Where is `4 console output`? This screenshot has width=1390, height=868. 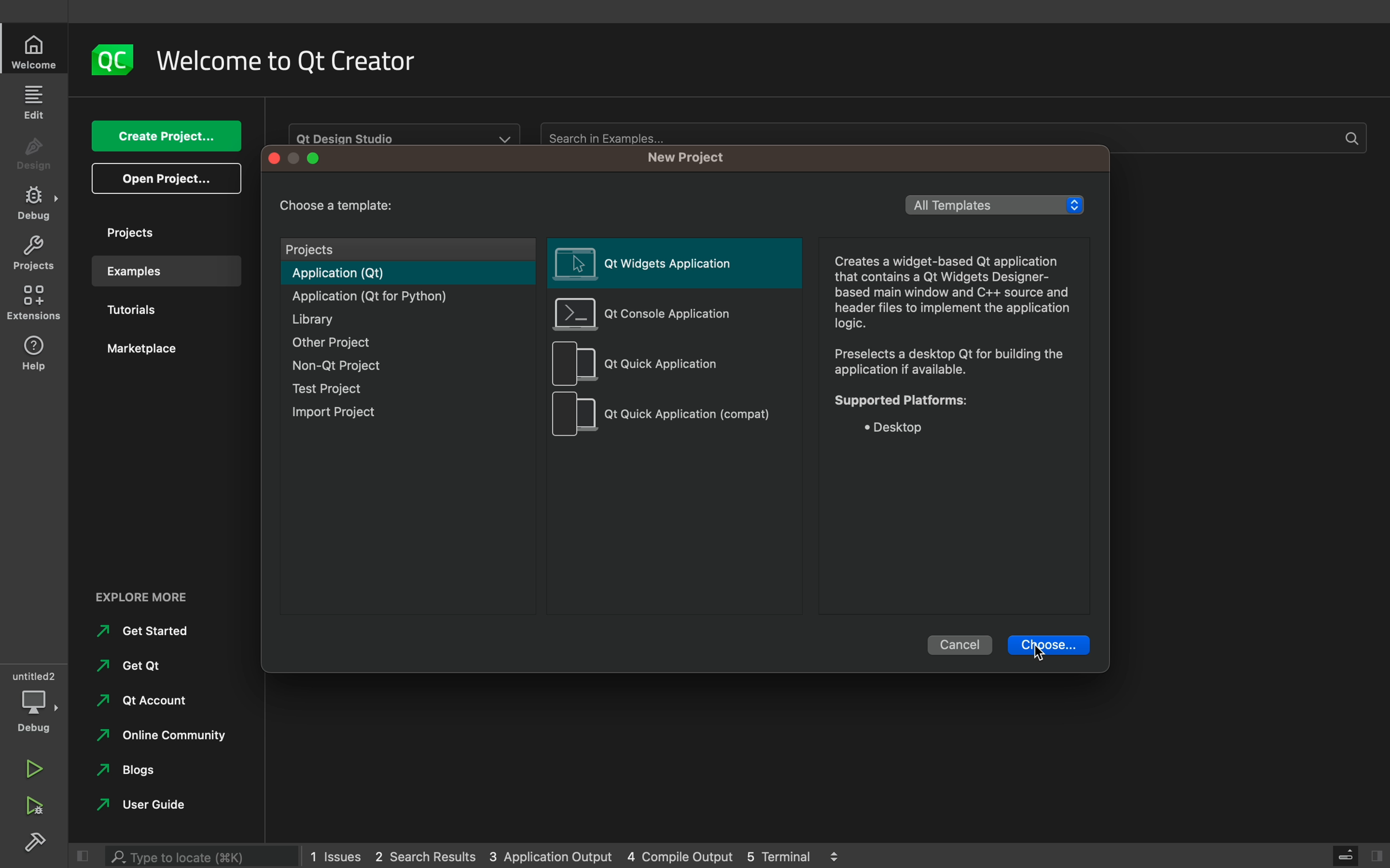 4 console output is located at coordinates (682, 857).